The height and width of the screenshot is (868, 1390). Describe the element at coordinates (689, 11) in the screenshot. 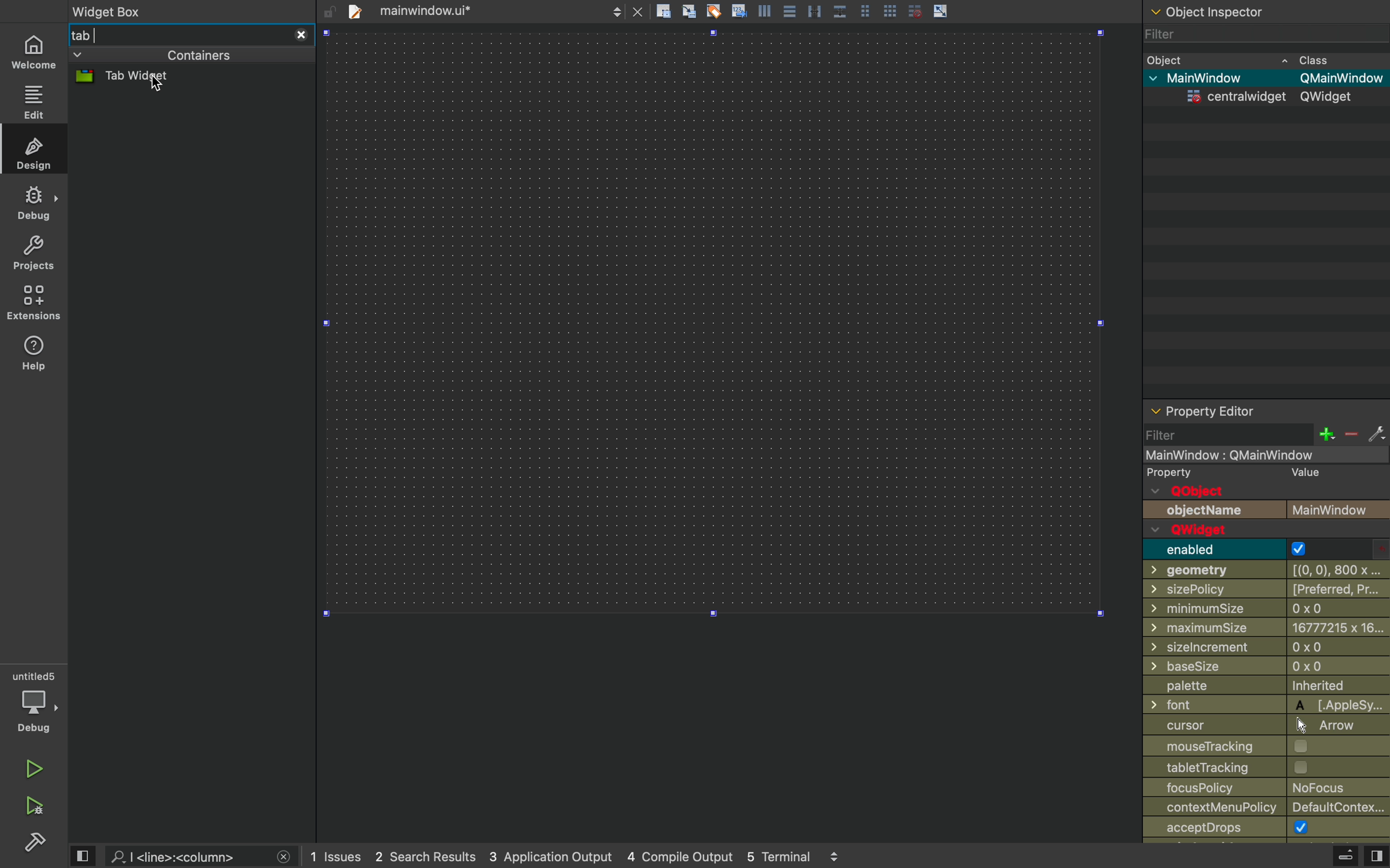

I see `align grid` at that location.